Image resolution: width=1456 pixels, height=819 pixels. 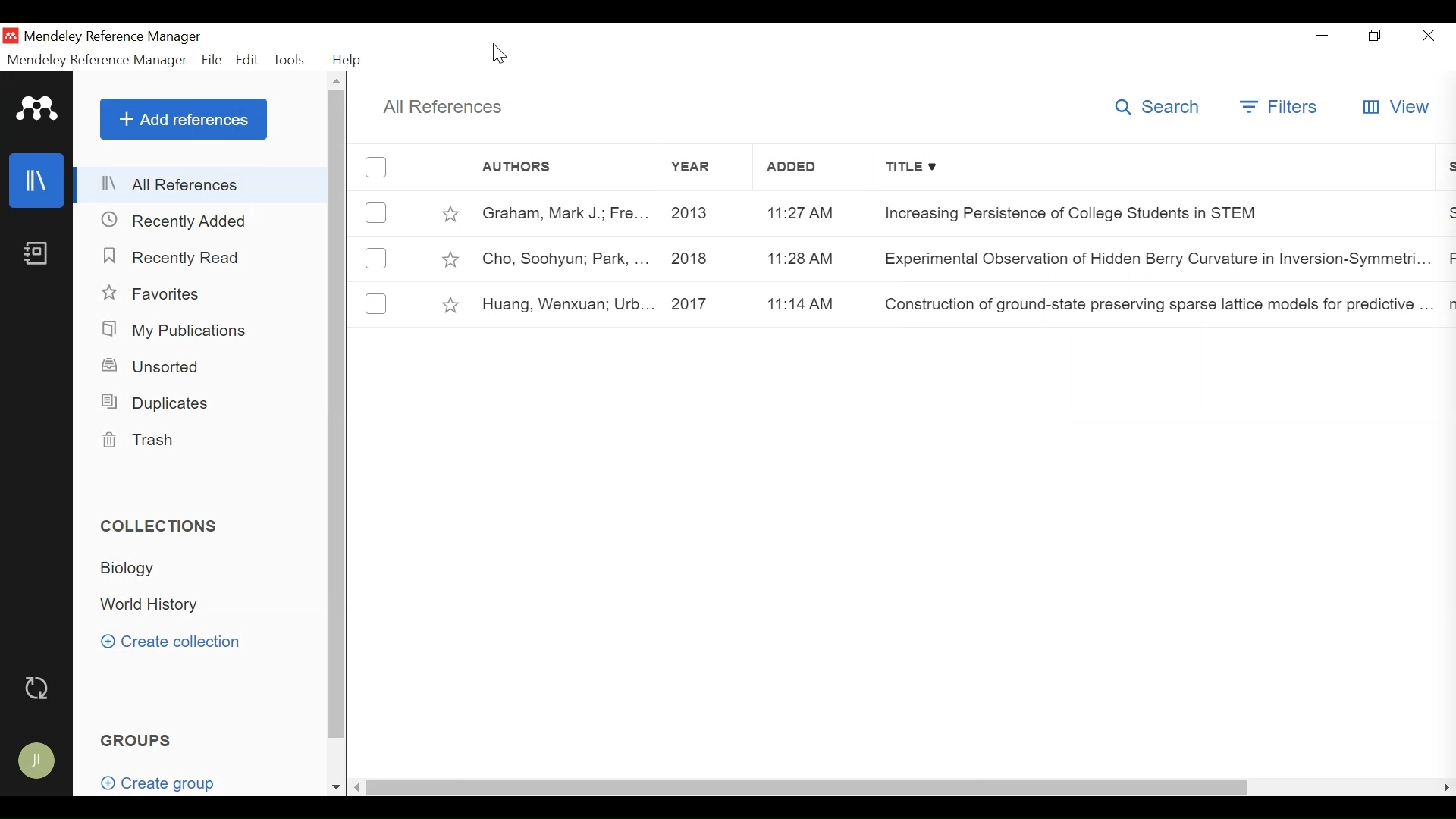 What do you see at coordinates (812, 259) in the screenshot?
I see `11:28 AM` at bounding box center [812, 259].